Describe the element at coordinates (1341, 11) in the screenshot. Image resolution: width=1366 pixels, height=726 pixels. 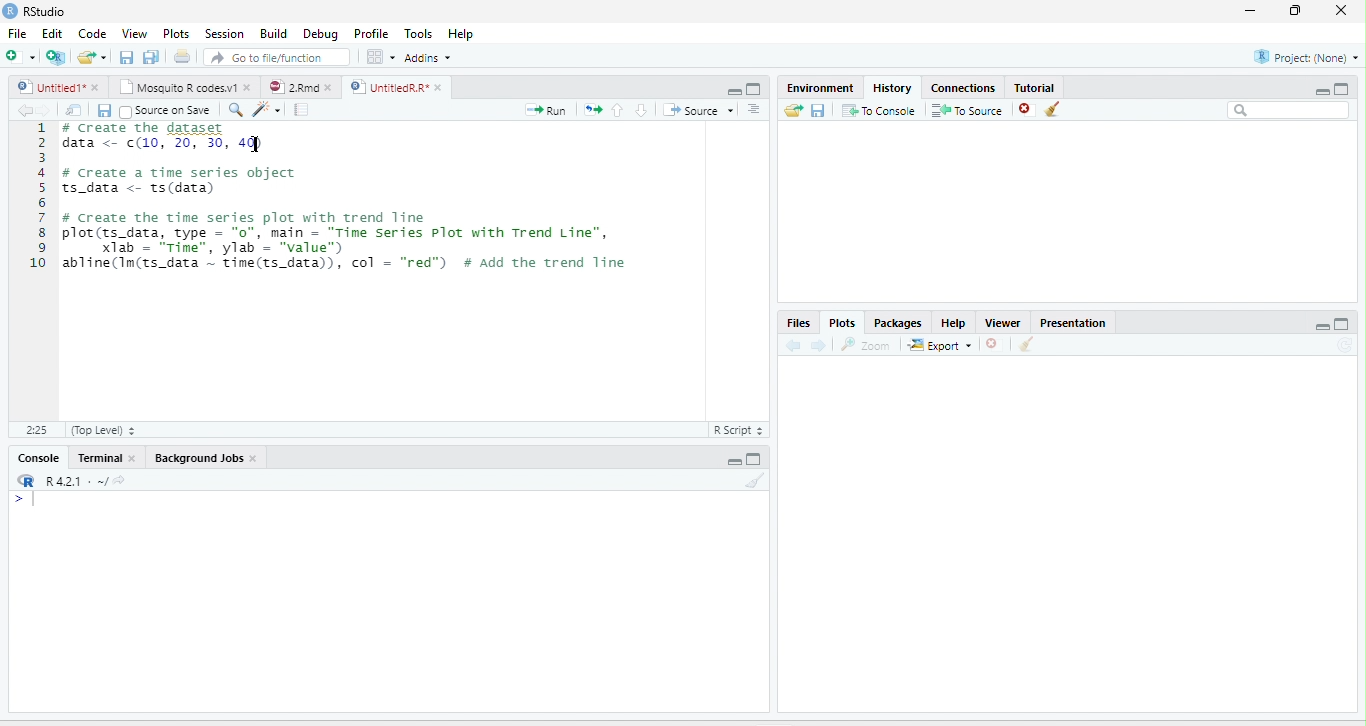
I see `close` at that location.